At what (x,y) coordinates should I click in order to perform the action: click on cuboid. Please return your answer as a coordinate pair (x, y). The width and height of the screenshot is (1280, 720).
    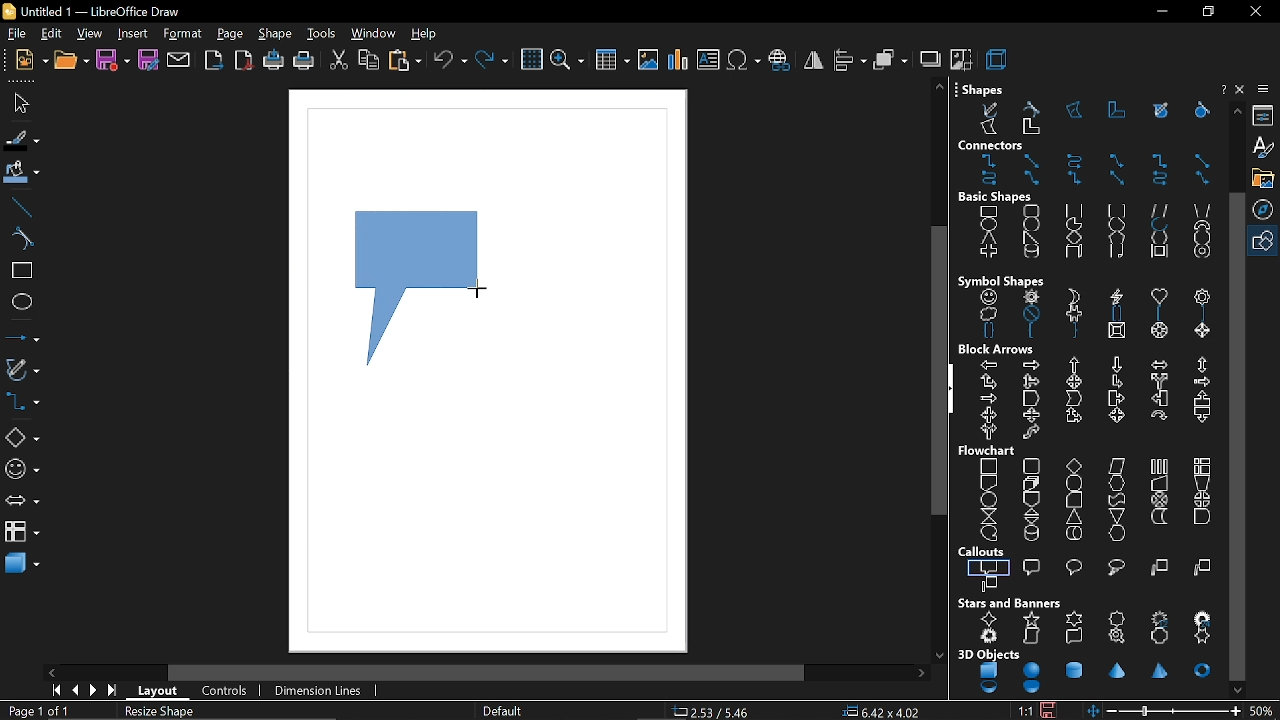
    Looking at the image, I should click on (1073, 254).